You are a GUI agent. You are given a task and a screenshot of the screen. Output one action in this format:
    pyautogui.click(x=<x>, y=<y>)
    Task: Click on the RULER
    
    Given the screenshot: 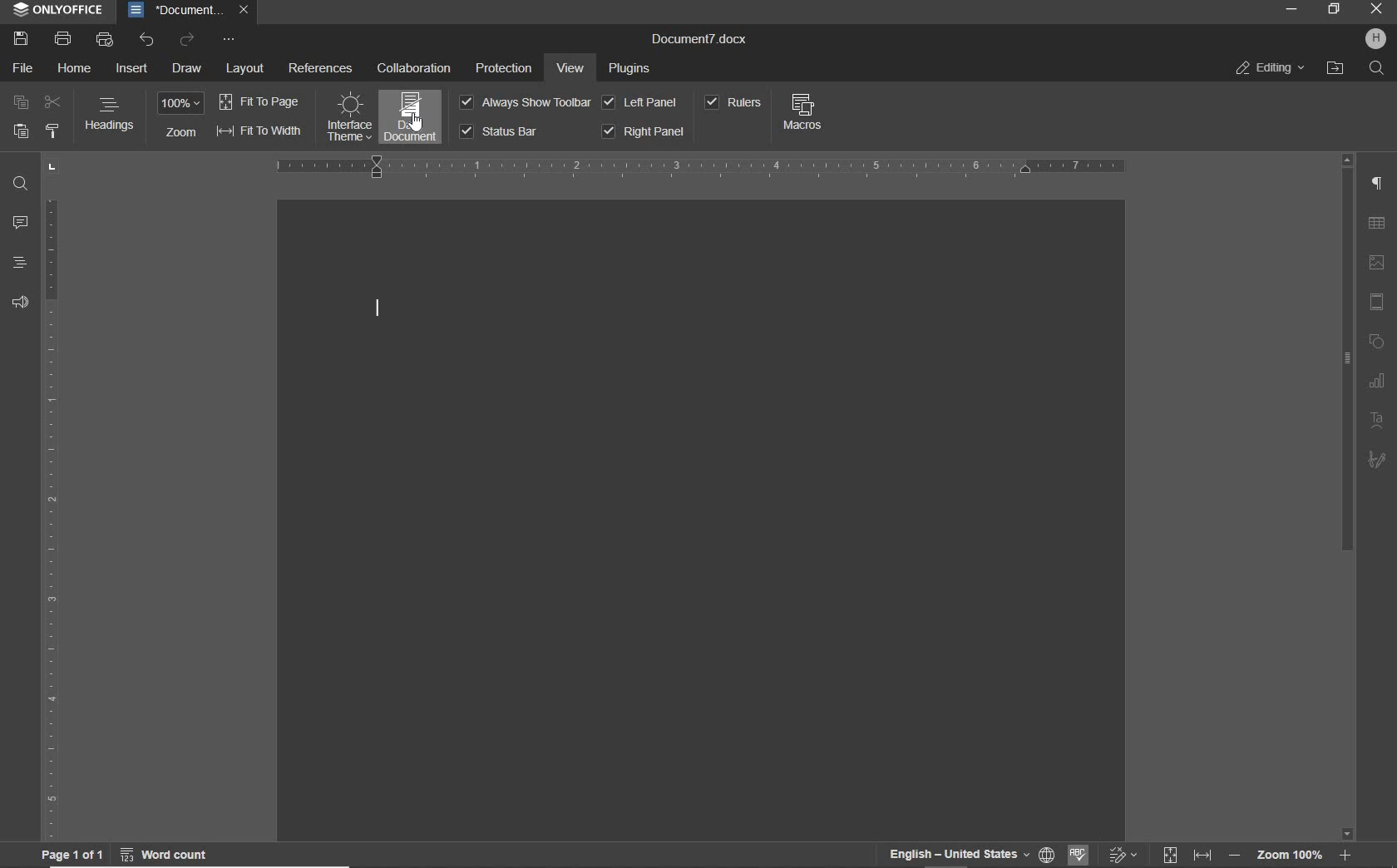 What is the action you would take?
    pyautogui.click(x=51, y=519)
    